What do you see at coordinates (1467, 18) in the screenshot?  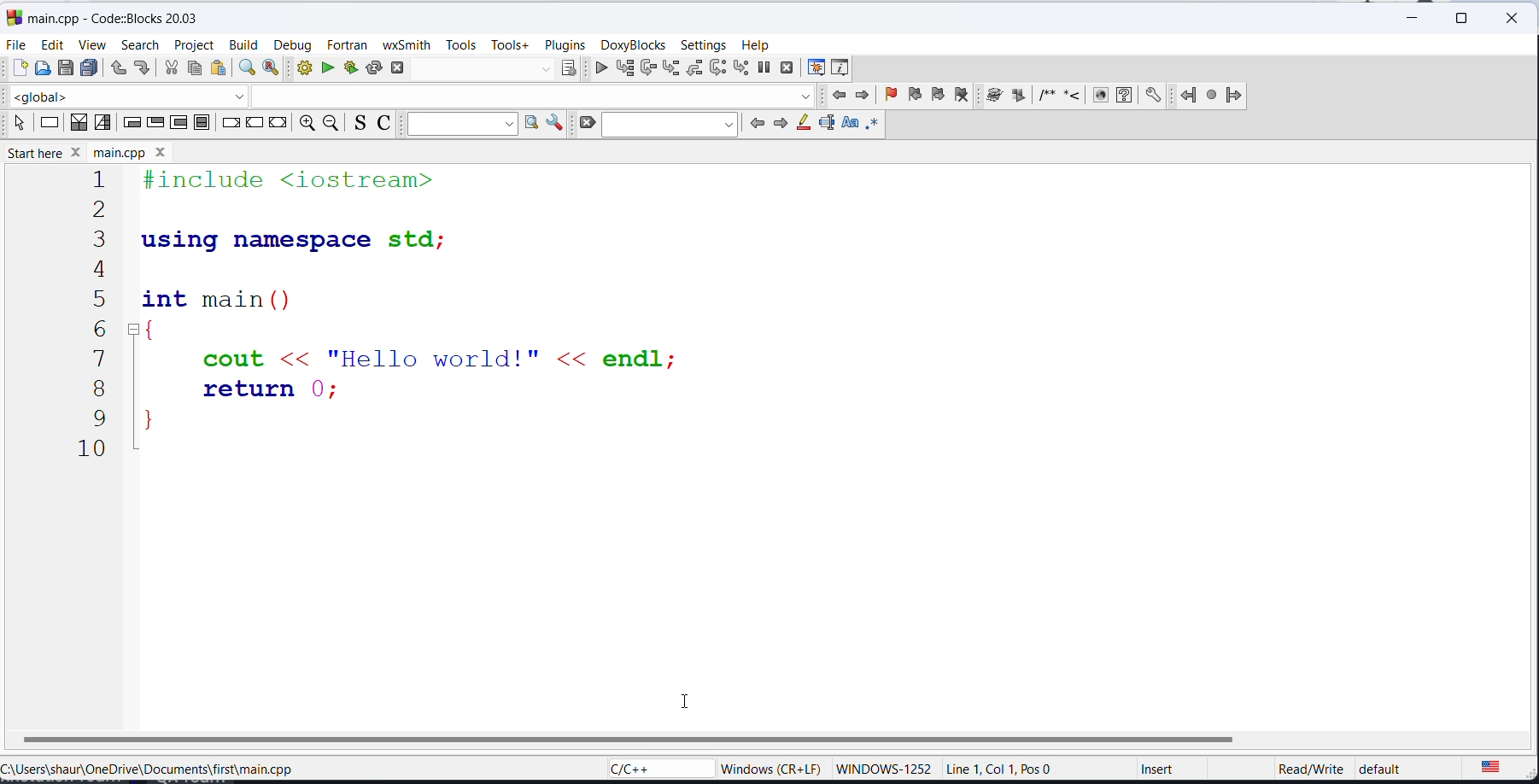 I see `maximize` at bounding box center [1467, 18].